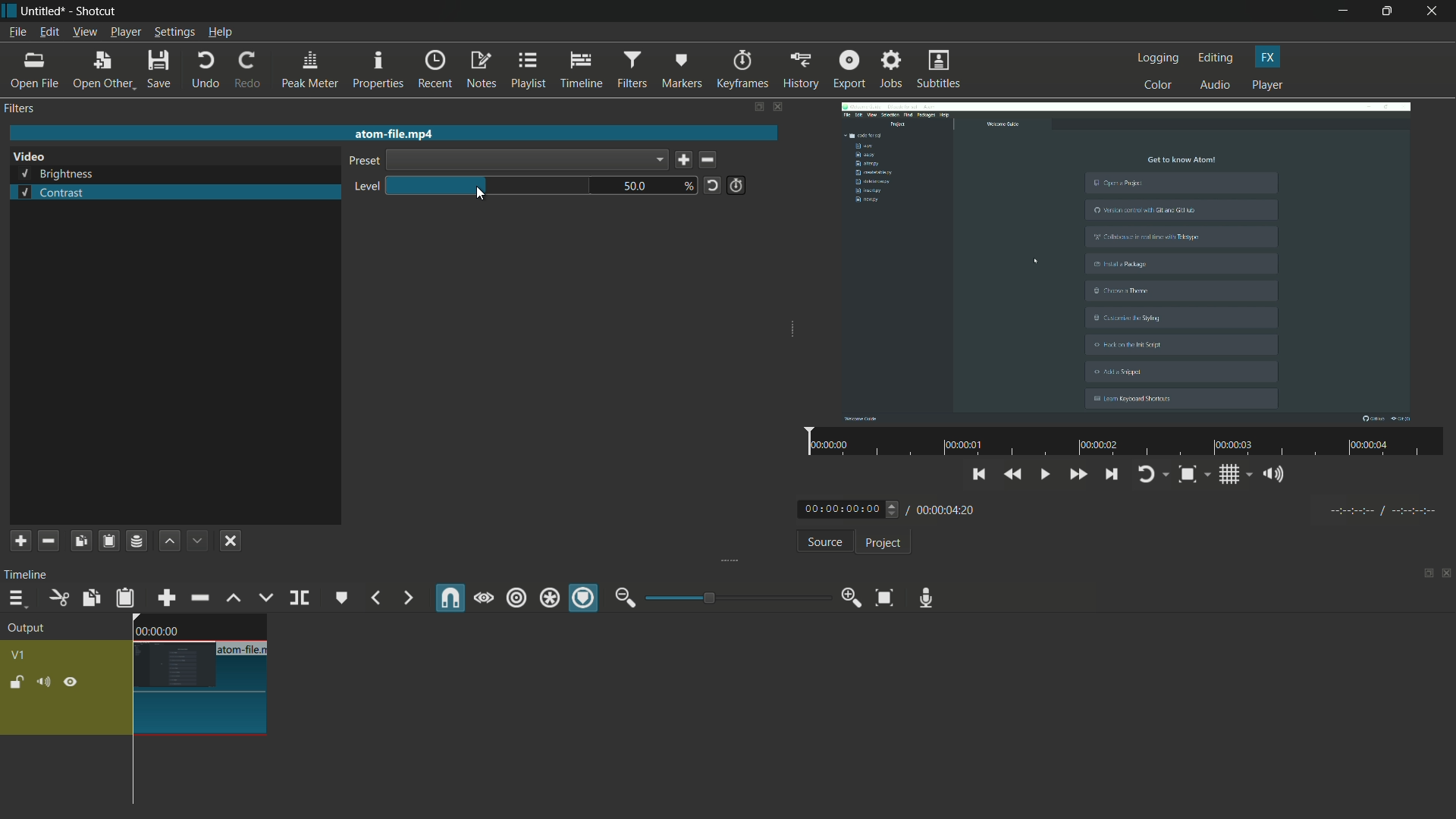 The width and height of the screenshot is (1456, 819). What do you see at coordinates (84, 32) in the screenshot?
I see `view menu` at bounding box center [84, 32].